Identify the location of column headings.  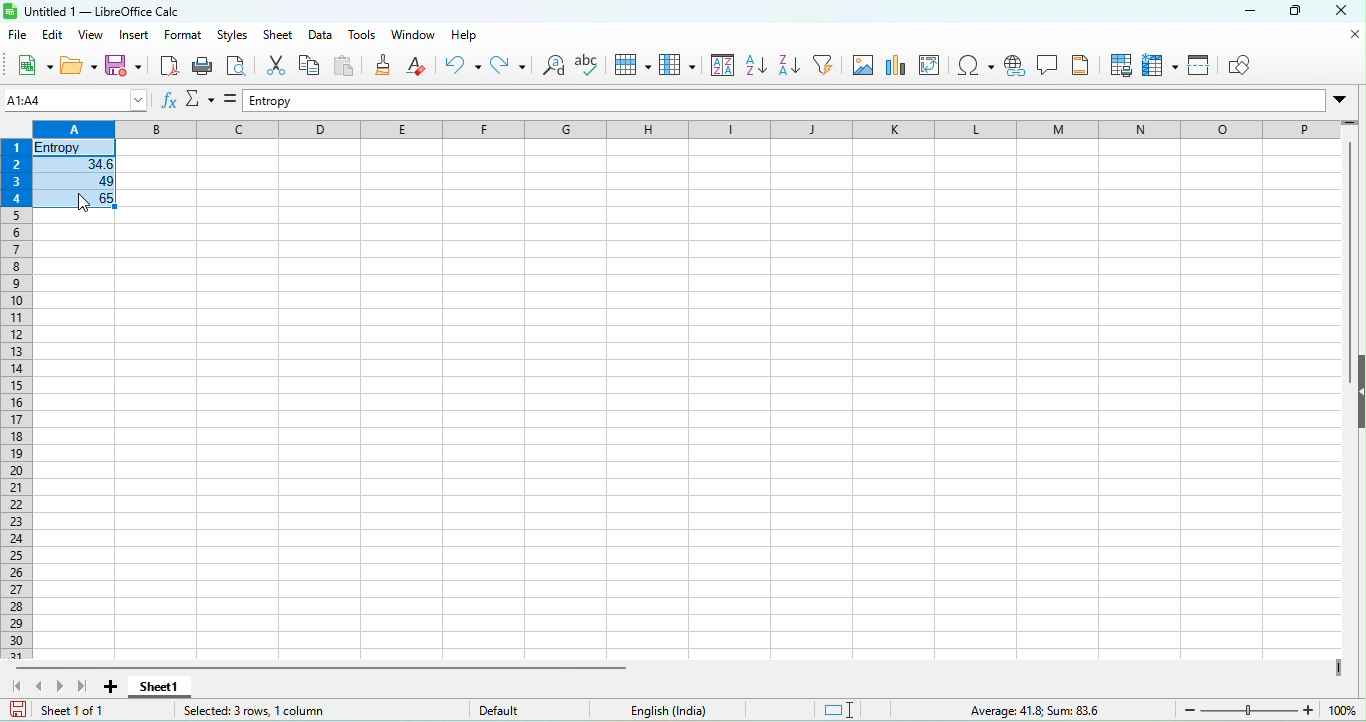
(687, 130).